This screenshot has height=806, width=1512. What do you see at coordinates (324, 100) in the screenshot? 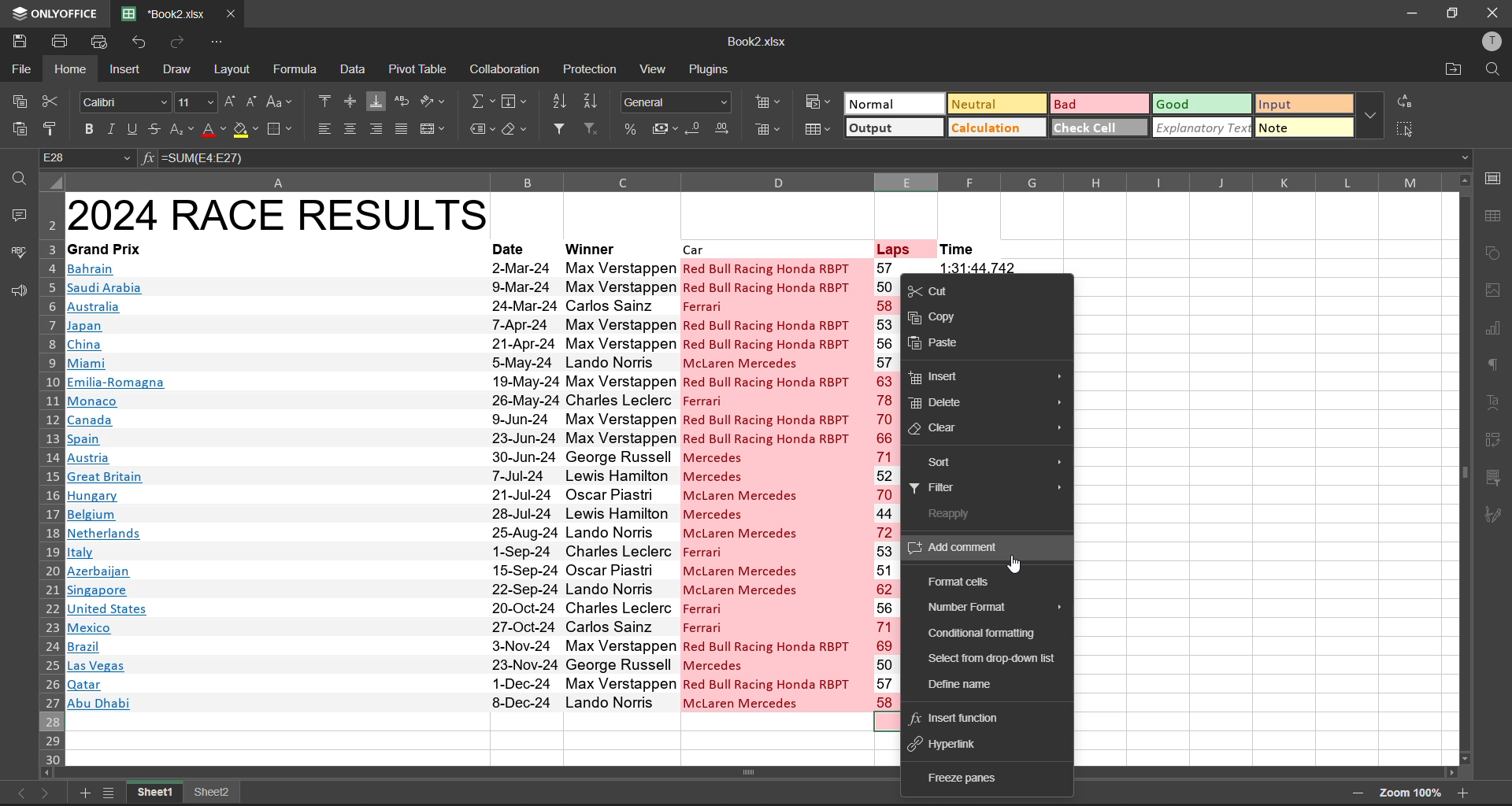
I see `align top` at bounding box center [324, 100].